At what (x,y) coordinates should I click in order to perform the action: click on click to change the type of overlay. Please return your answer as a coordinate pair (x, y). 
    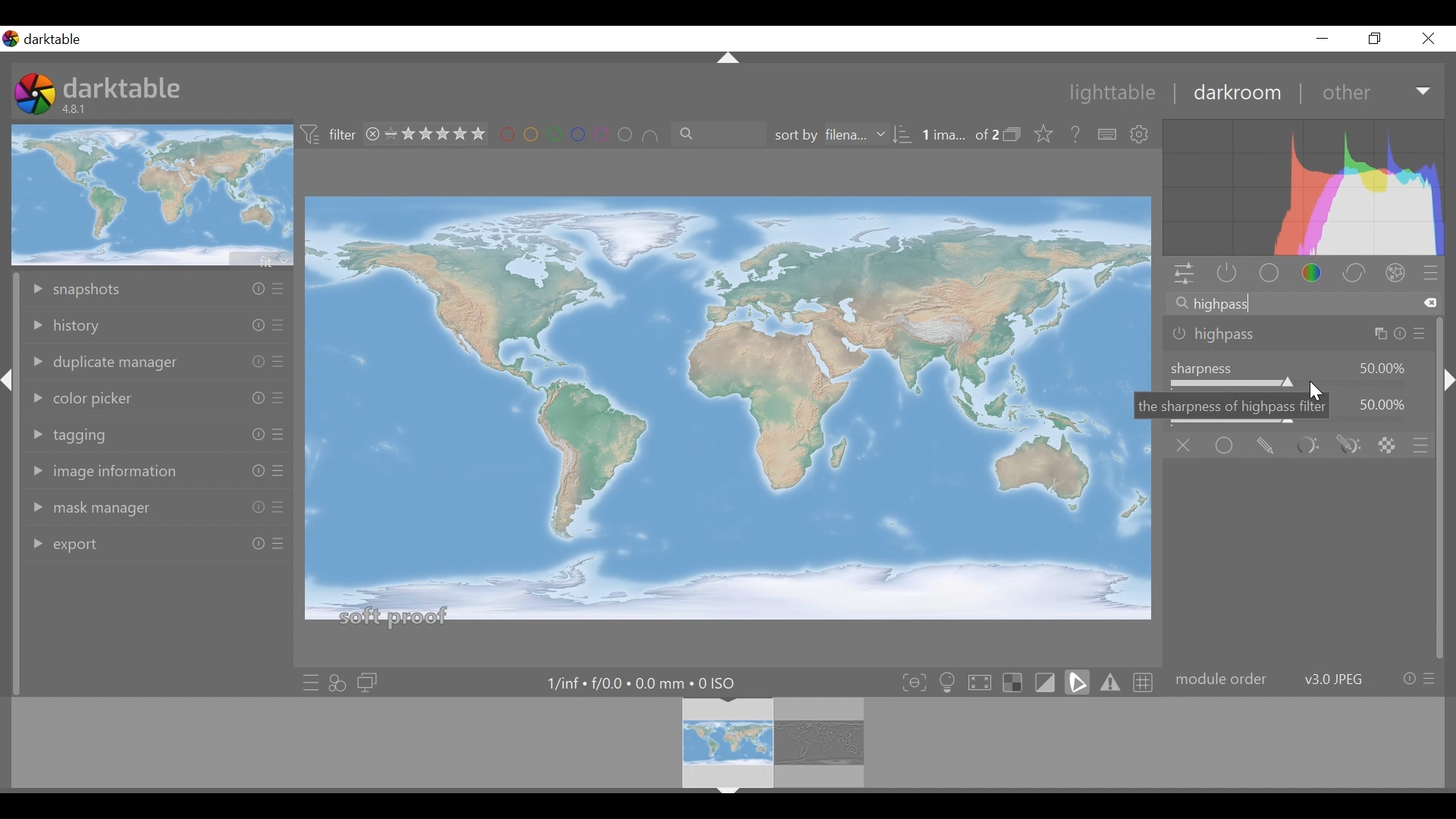
    Looking at the image, I should click on (1048, 135).